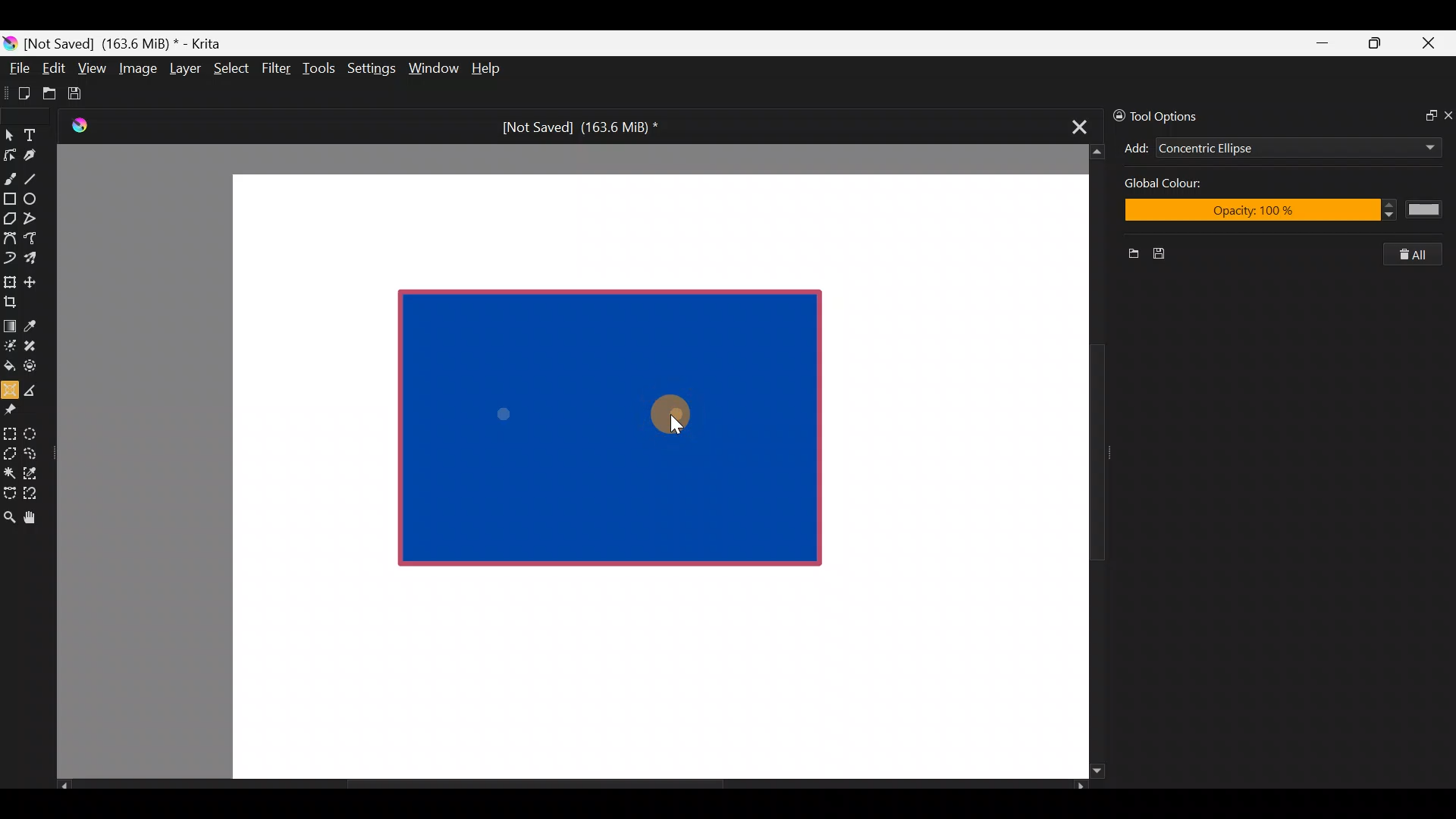  Describe the element at coordinates (10, 200) in the screenshot. I see `Rectangle tool` at that location.